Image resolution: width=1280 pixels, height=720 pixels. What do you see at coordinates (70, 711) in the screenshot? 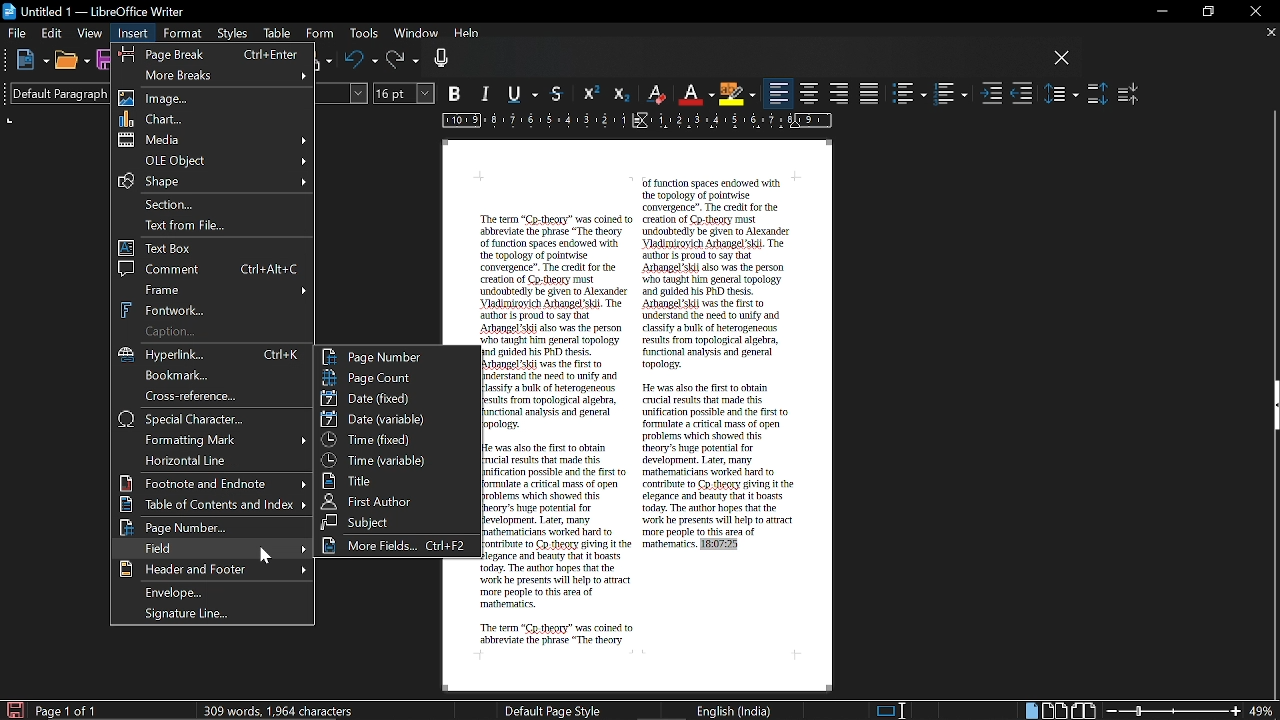
I see `page 1 of 1` at bounding box center [70, 711].